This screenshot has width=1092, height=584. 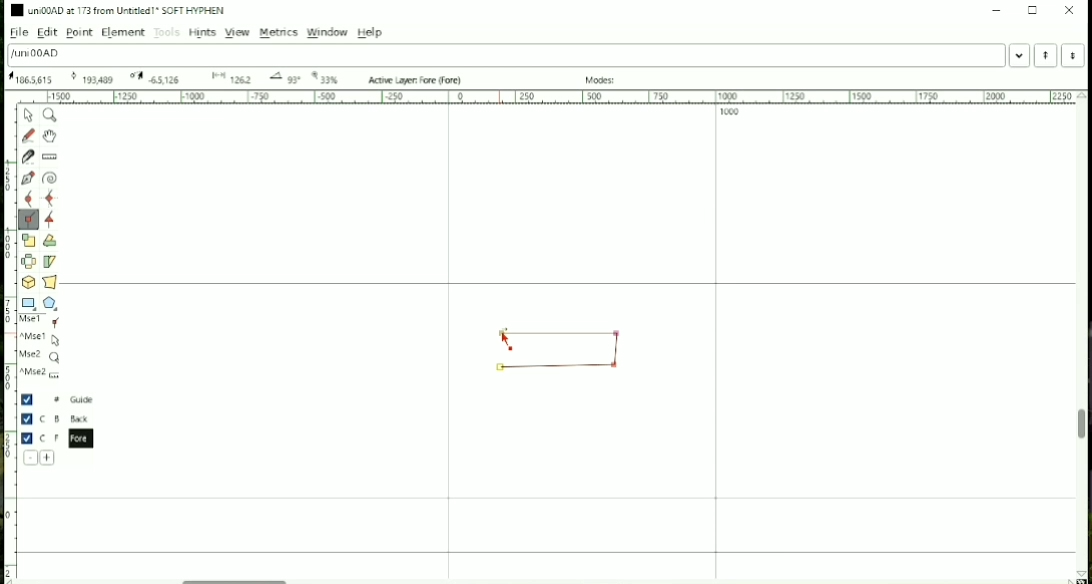 What do you see at coordinates (282, 78) in the screenshot?
I see `173 Oxad U+00AD "uni00AD" SOFT HYPHEN` at bounding box center [282, 78].